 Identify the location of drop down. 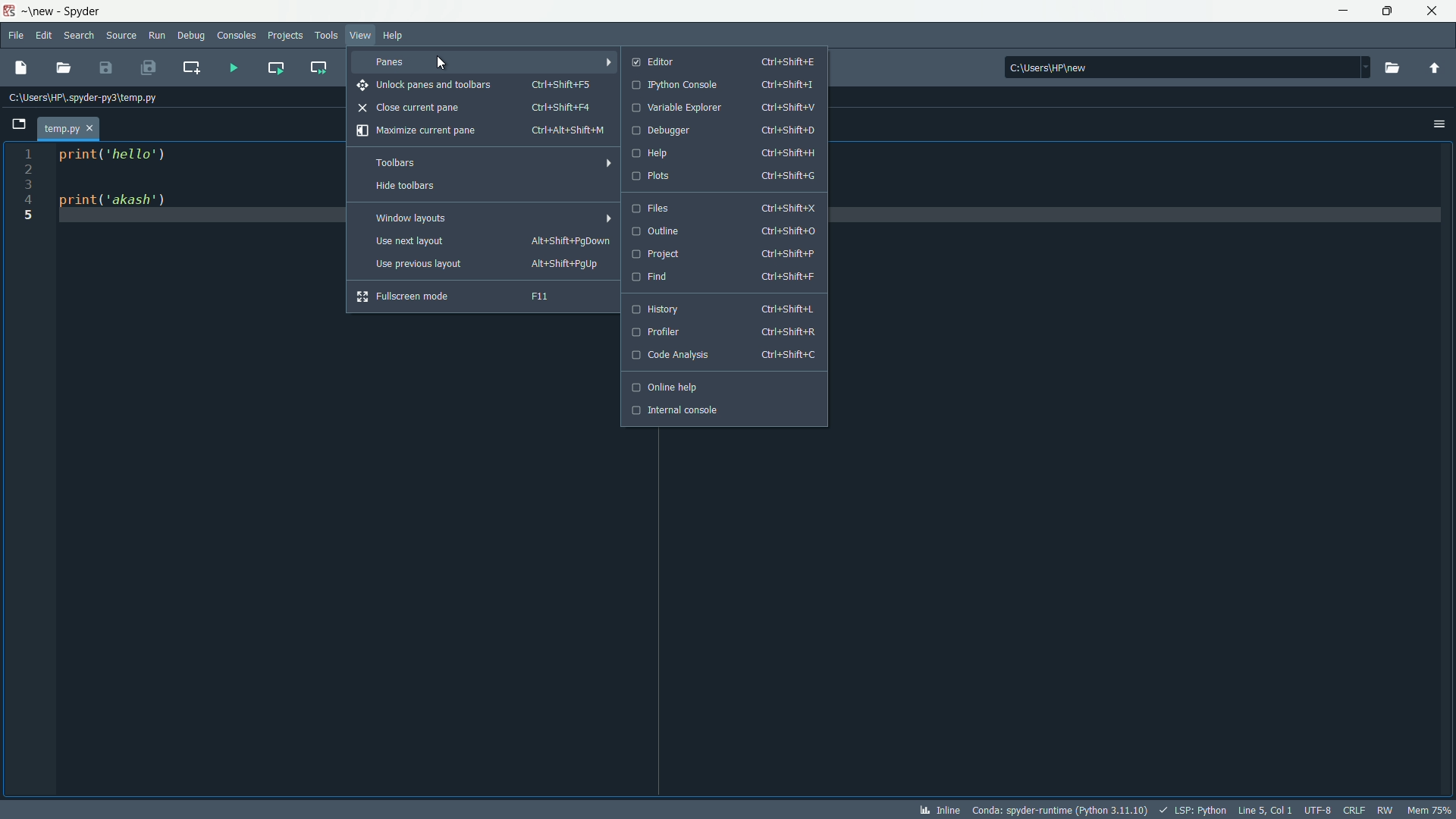
(1363, 66).